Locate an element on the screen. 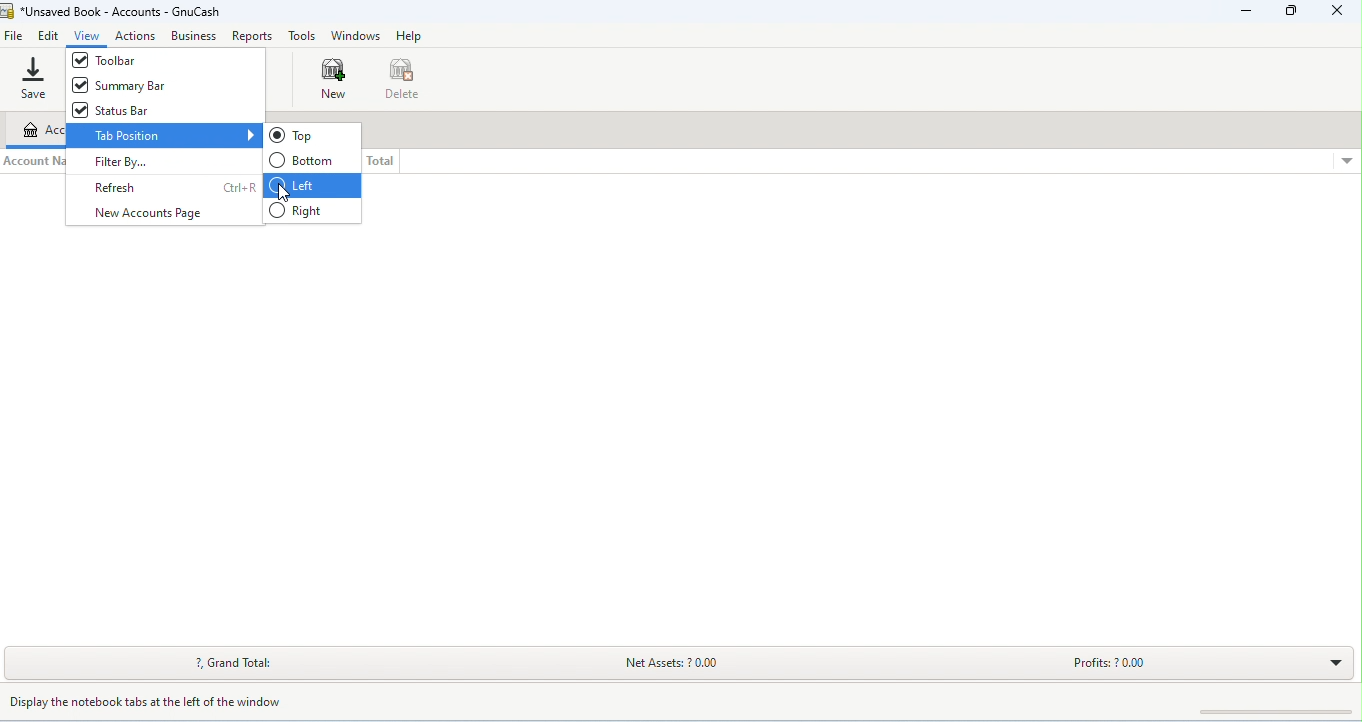 The height and width of the screenshot is (722, 1362). cursor movement is located at coordinates (283, 192).